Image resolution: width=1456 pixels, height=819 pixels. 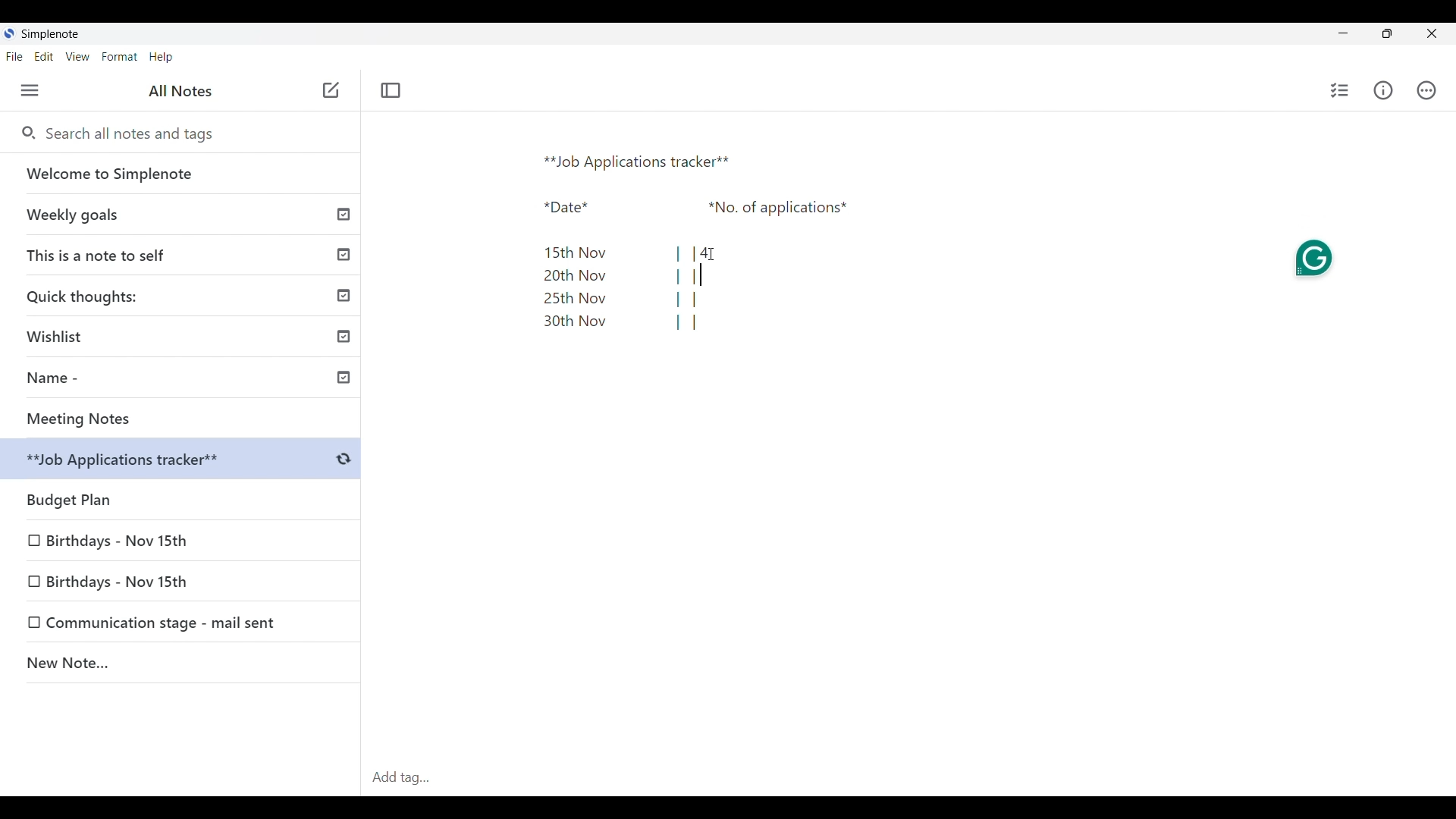 I want to click on Quick thoughts, so click(x=183, y=295).